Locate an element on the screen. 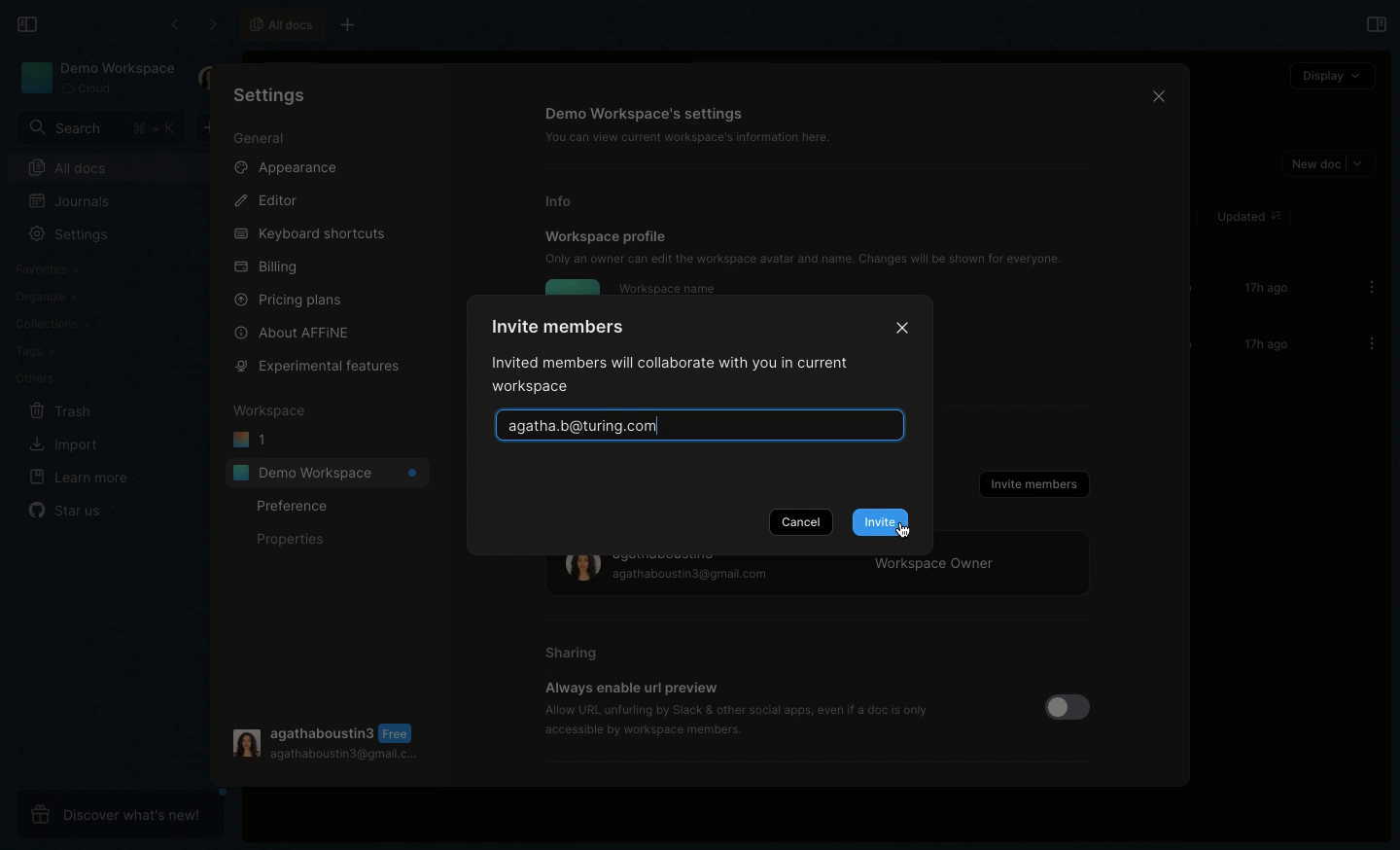 This screenshot has width=1400, height=850. Pricing plans is located at coordinates (289, 300).